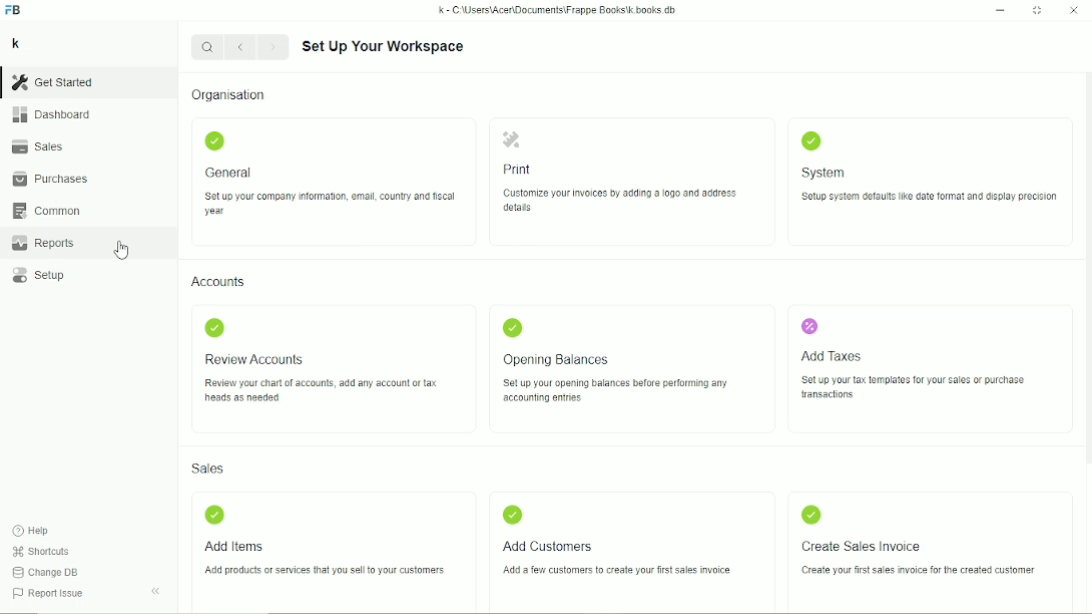 Image resolution: width=1092 pixels, height=614 pixels. Describe the element at coordinates (275, 48) in the screenshot. I see `Next` at that location.